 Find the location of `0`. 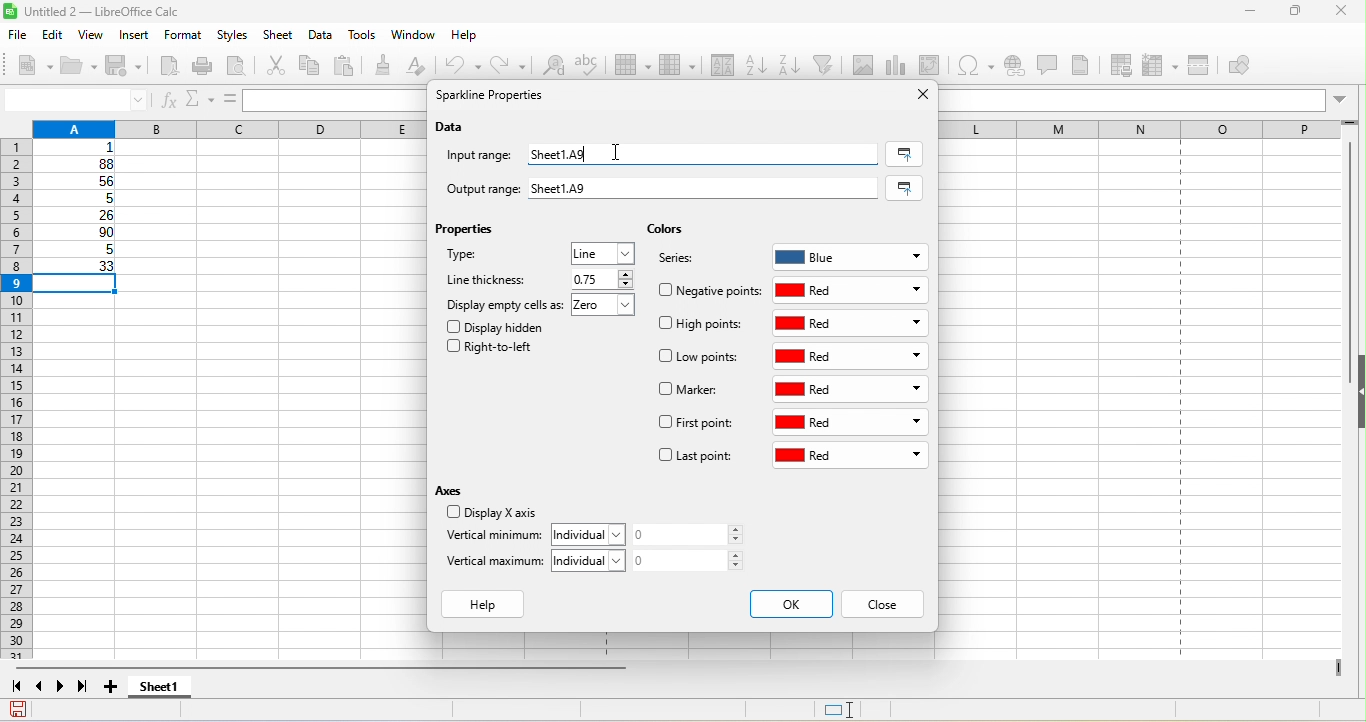

0 is located at coordinates (694, 560).